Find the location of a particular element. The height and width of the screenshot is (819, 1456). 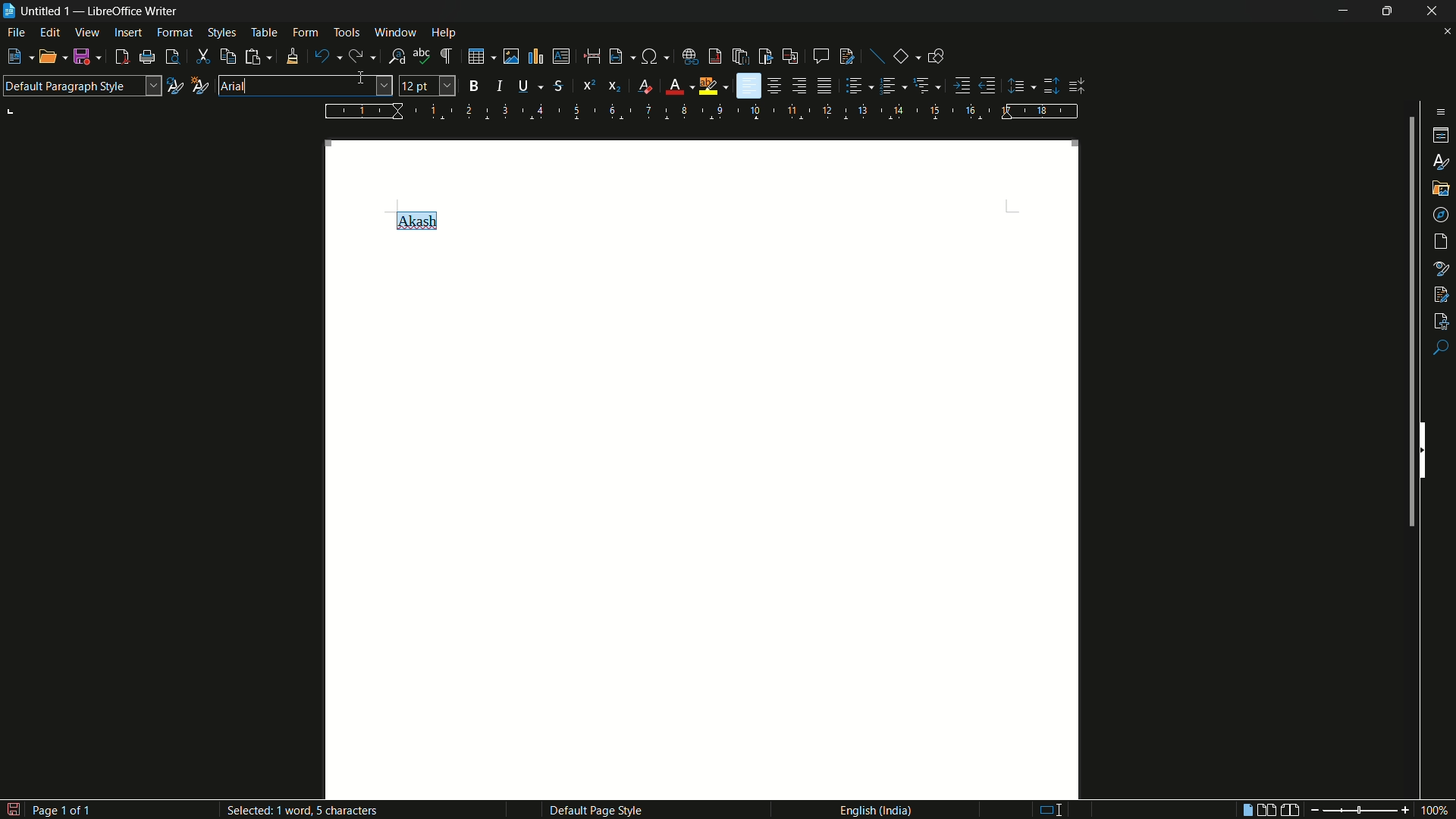

font color is located at coordinates (674, 87).